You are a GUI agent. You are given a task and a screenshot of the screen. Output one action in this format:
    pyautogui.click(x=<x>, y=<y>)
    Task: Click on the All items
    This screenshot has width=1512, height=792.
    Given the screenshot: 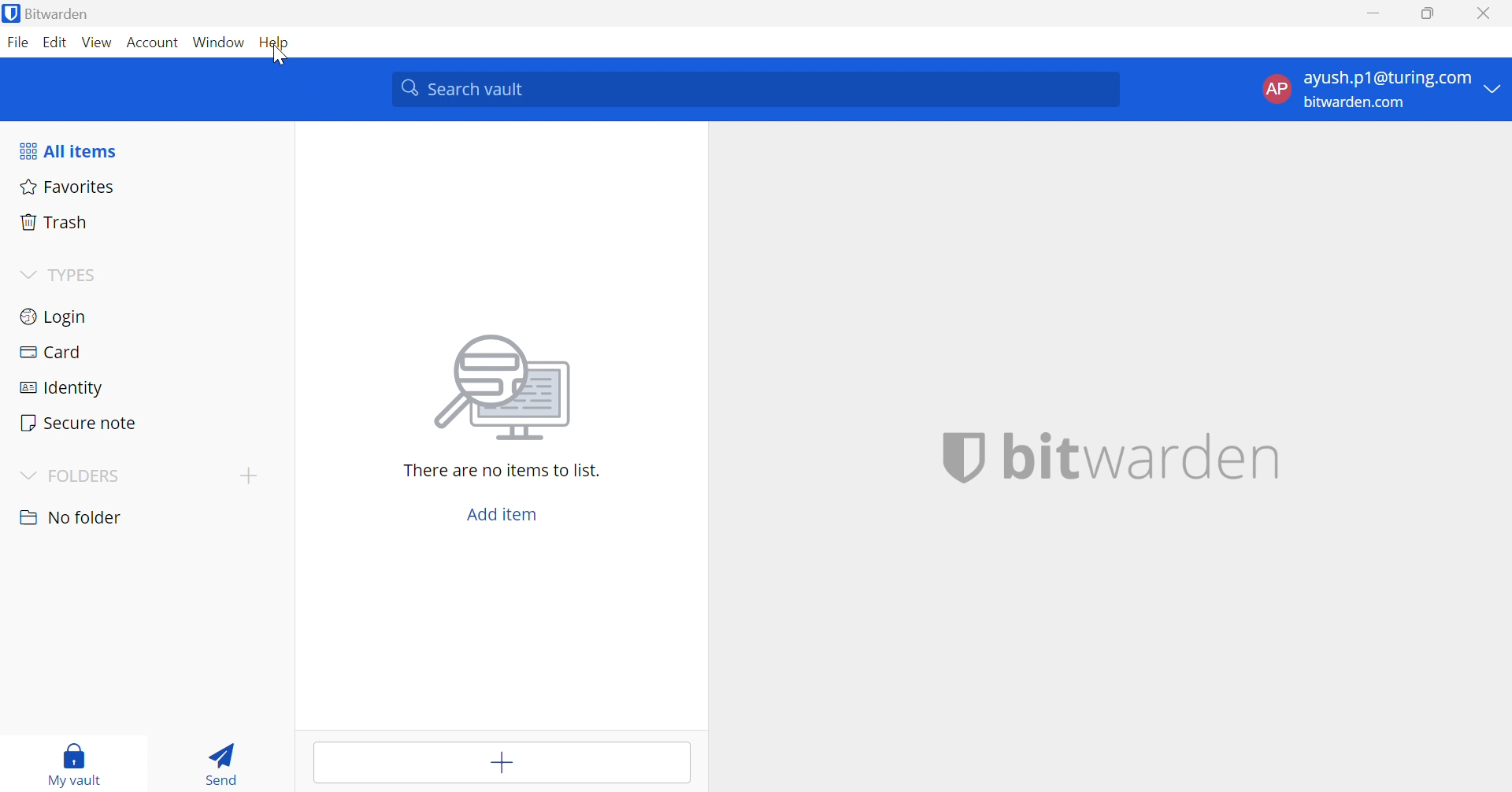 What is the action you would take?
    pyautogui.click(x=149, y=151)
    